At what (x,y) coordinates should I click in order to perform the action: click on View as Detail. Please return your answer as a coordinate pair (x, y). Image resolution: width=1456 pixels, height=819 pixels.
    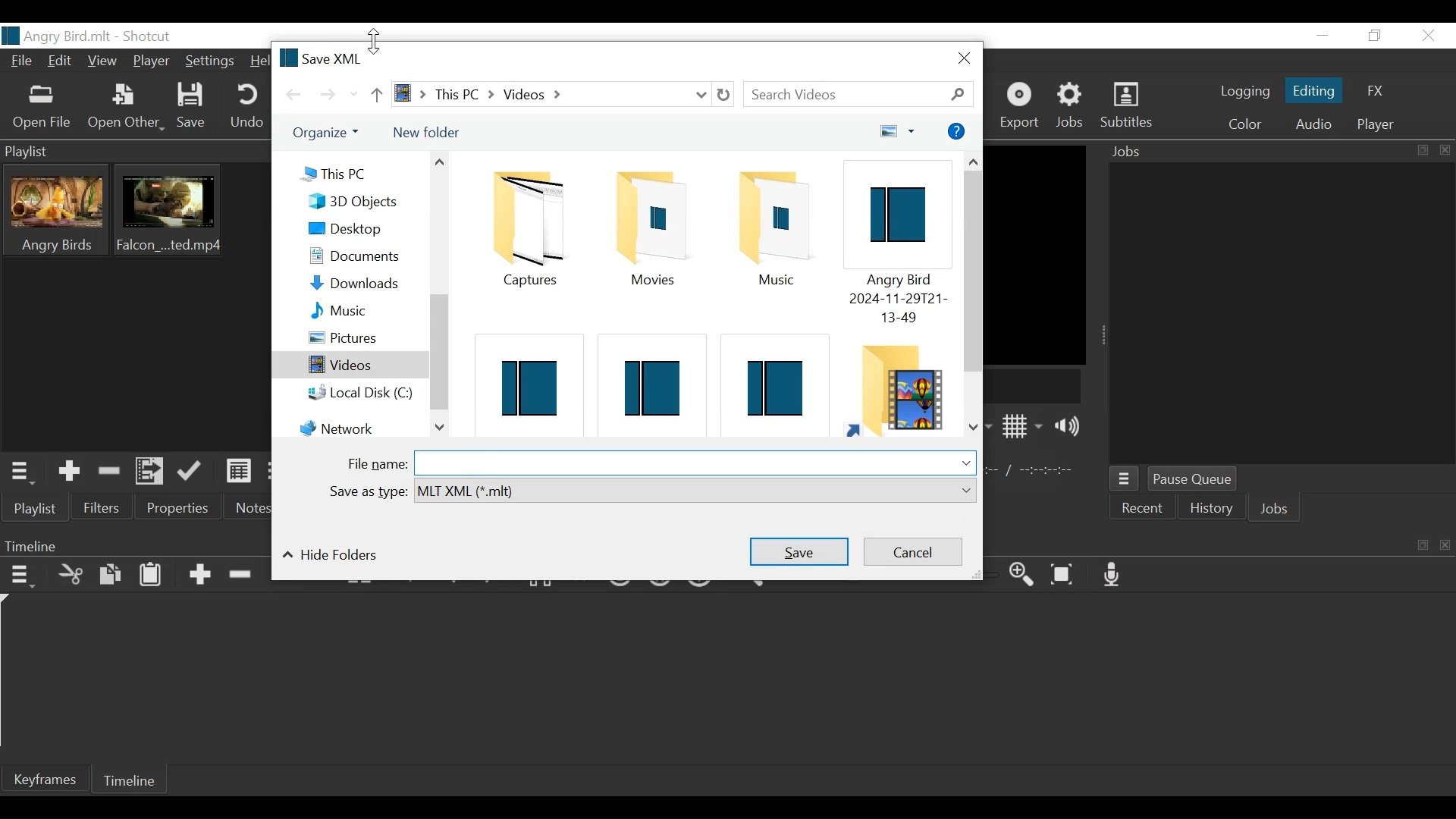
    Looking at the image, I should click on (239, 474).